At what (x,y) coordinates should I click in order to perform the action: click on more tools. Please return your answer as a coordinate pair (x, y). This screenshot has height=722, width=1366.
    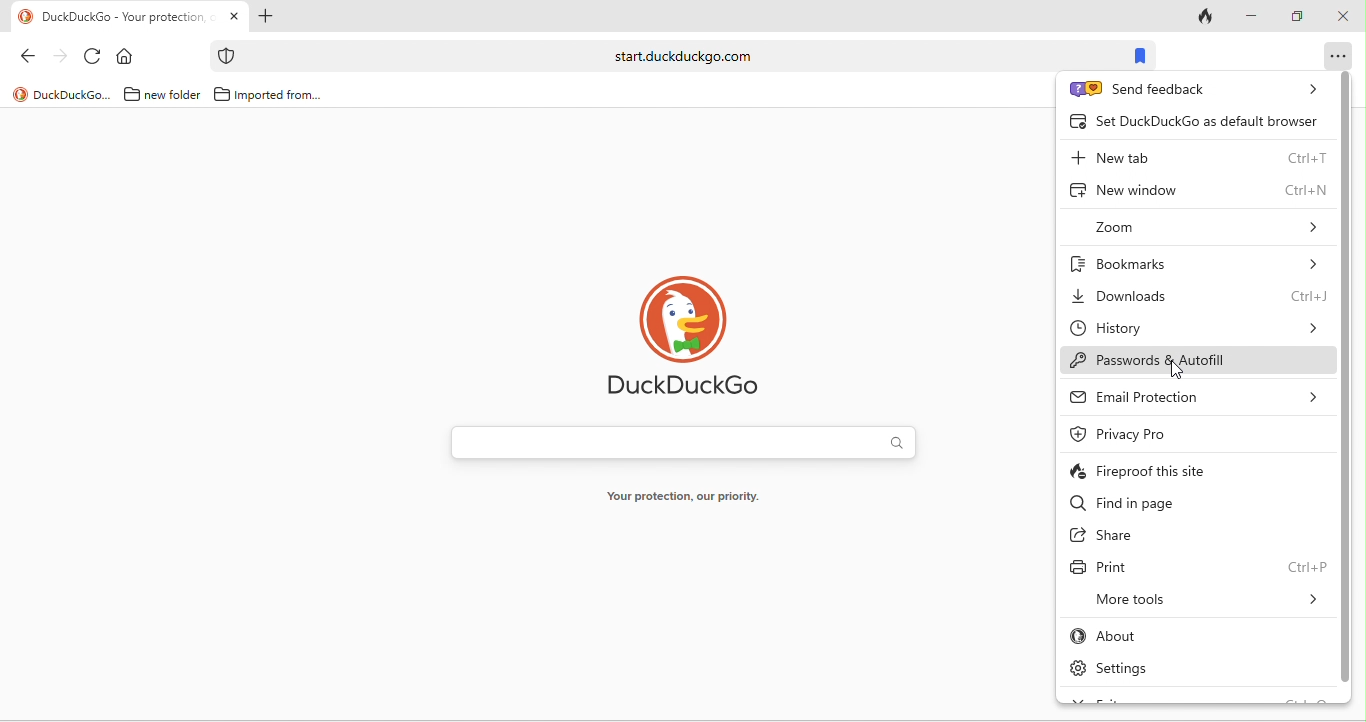
    Looking at the image, I should click on (1209, 603).